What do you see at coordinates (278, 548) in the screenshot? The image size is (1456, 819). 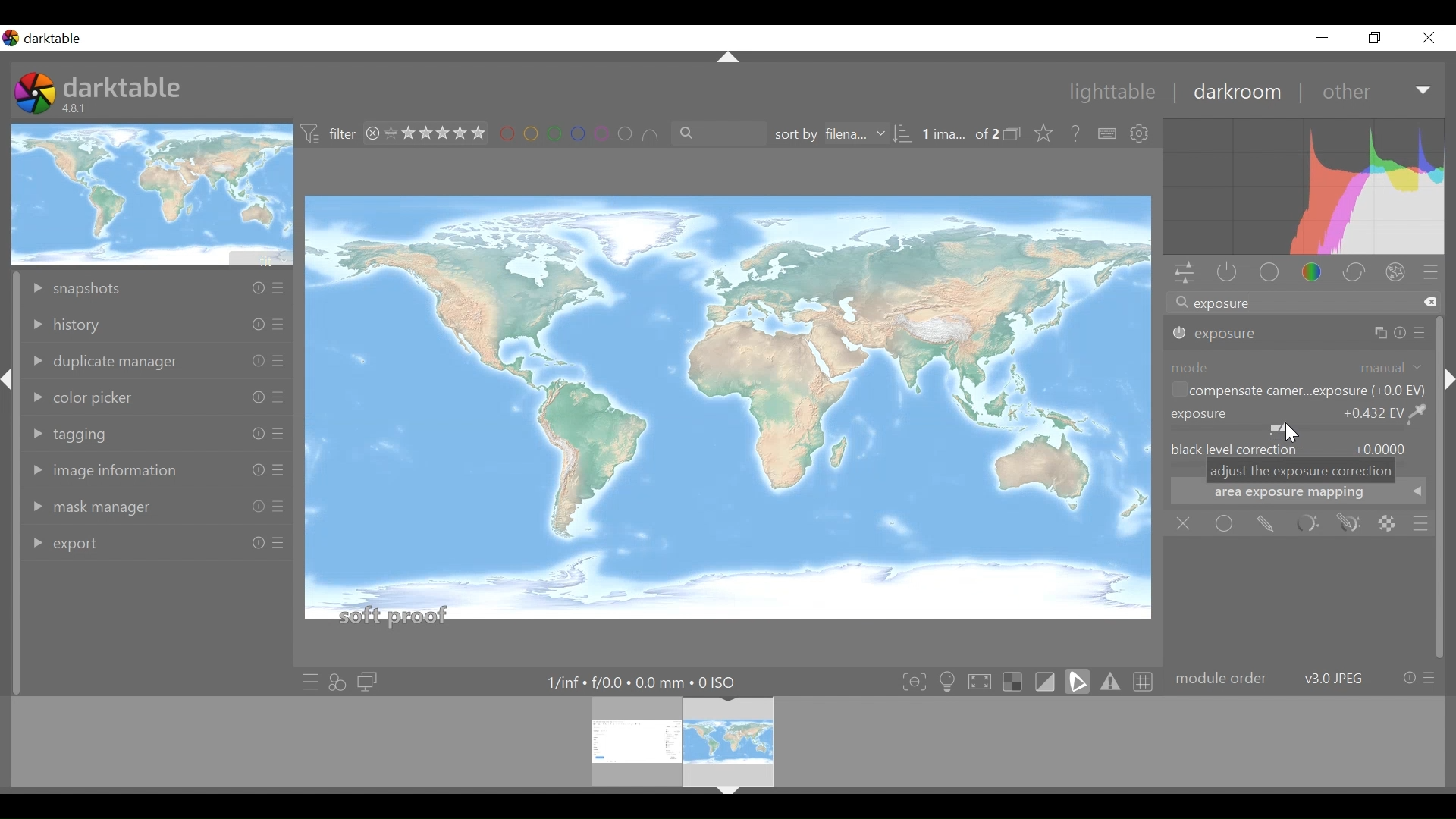 I see `` at bounding box center [278, 548].